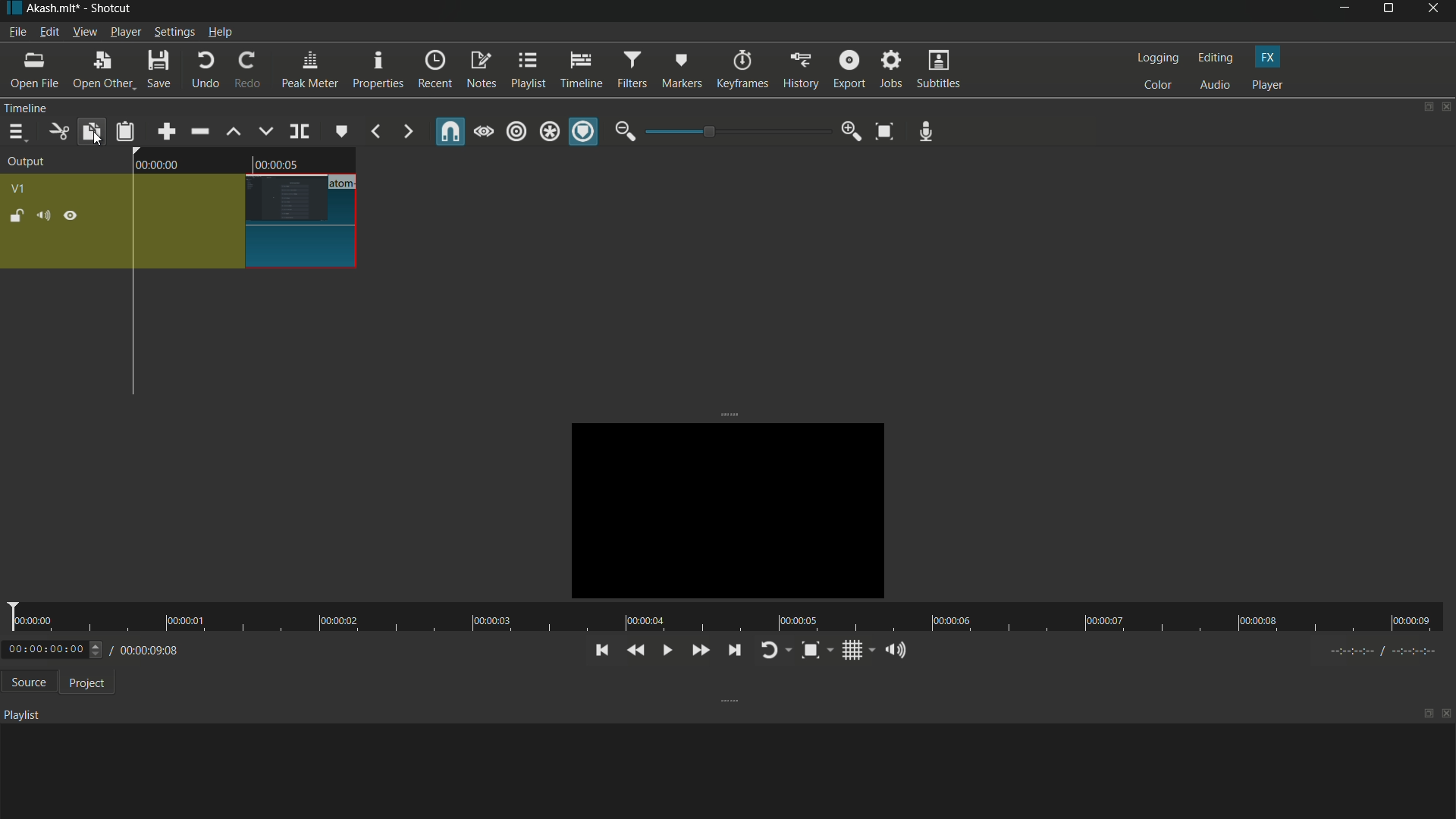  What do you see at coordinates (1268, 85) in the screenshot?
I see `player` at bounding box center [1268, 85].